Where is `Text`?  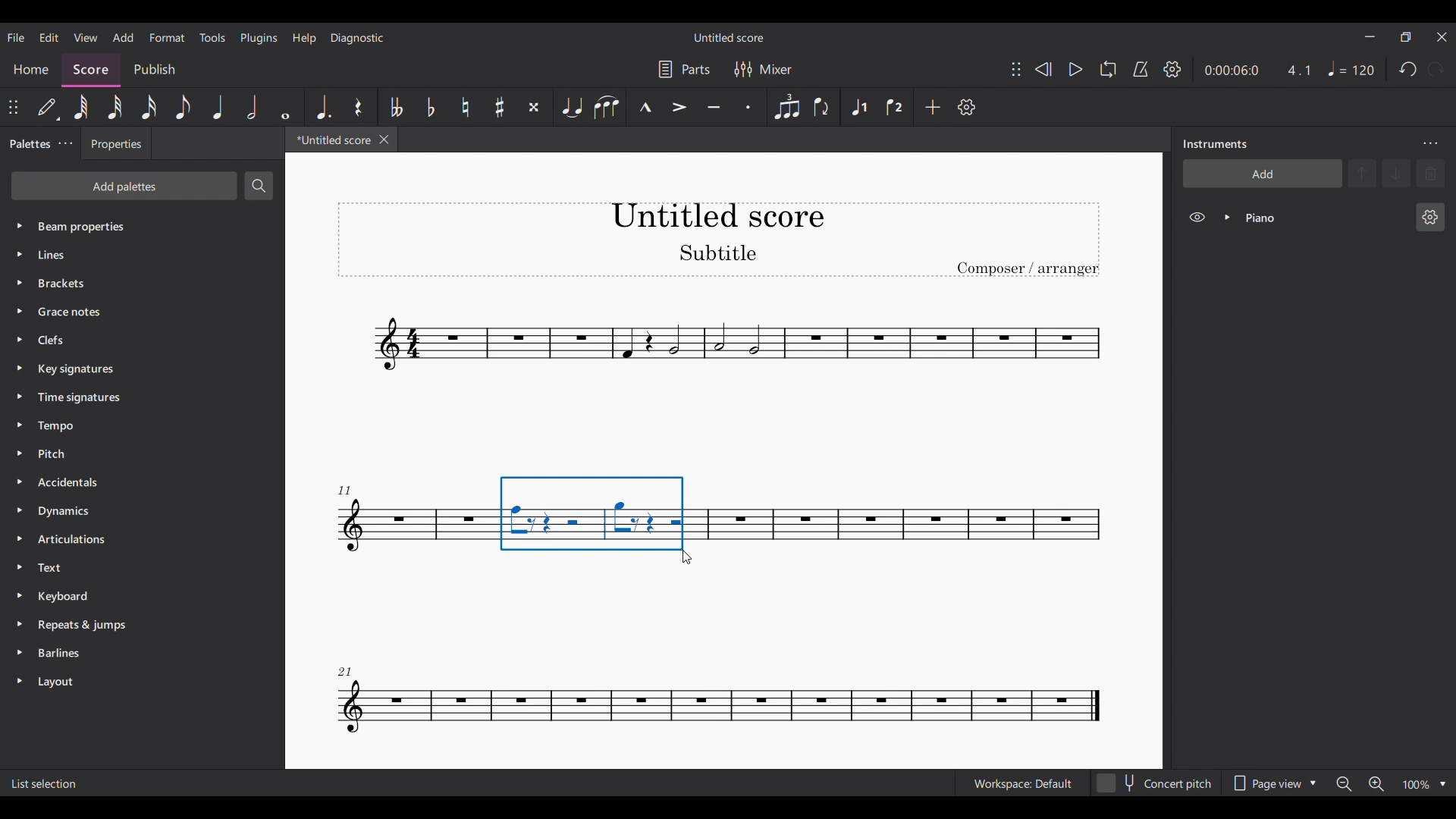 Text is located at coordinates (129, 567).